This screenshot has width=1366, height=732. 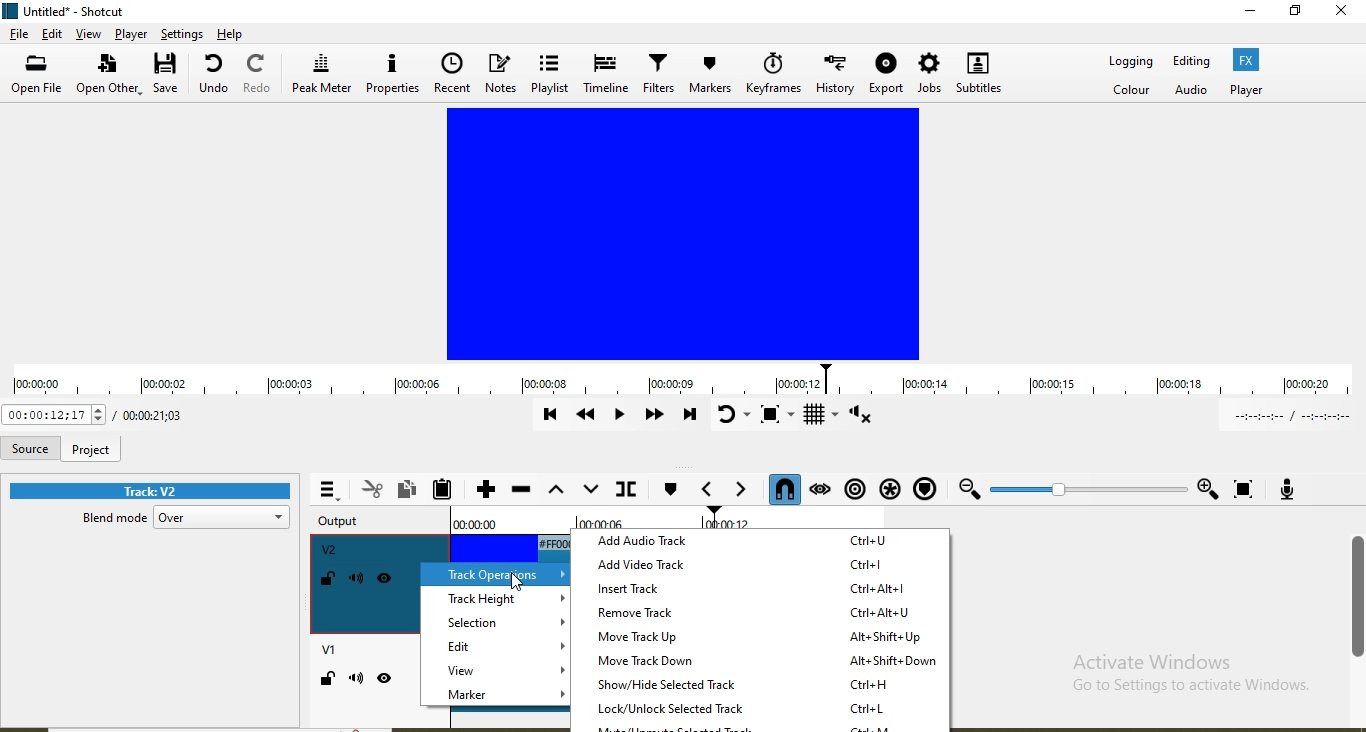 What do you see at coordinates (153, 414) in the screenshot?
I see `Total duration` at bounding box center [153, 414].